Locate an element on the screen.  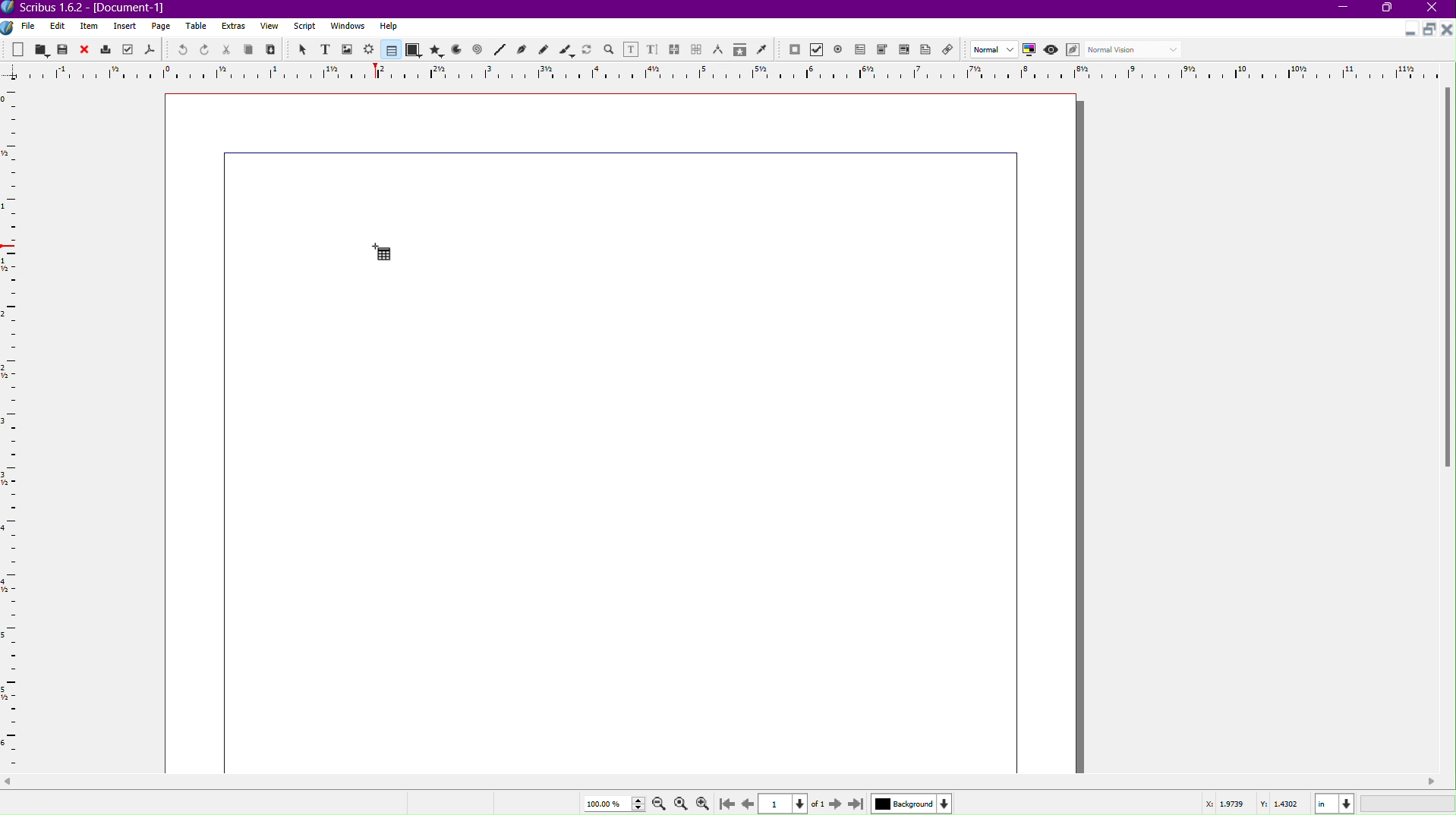
PDF Combo Box is located at coordinates (884, 51).